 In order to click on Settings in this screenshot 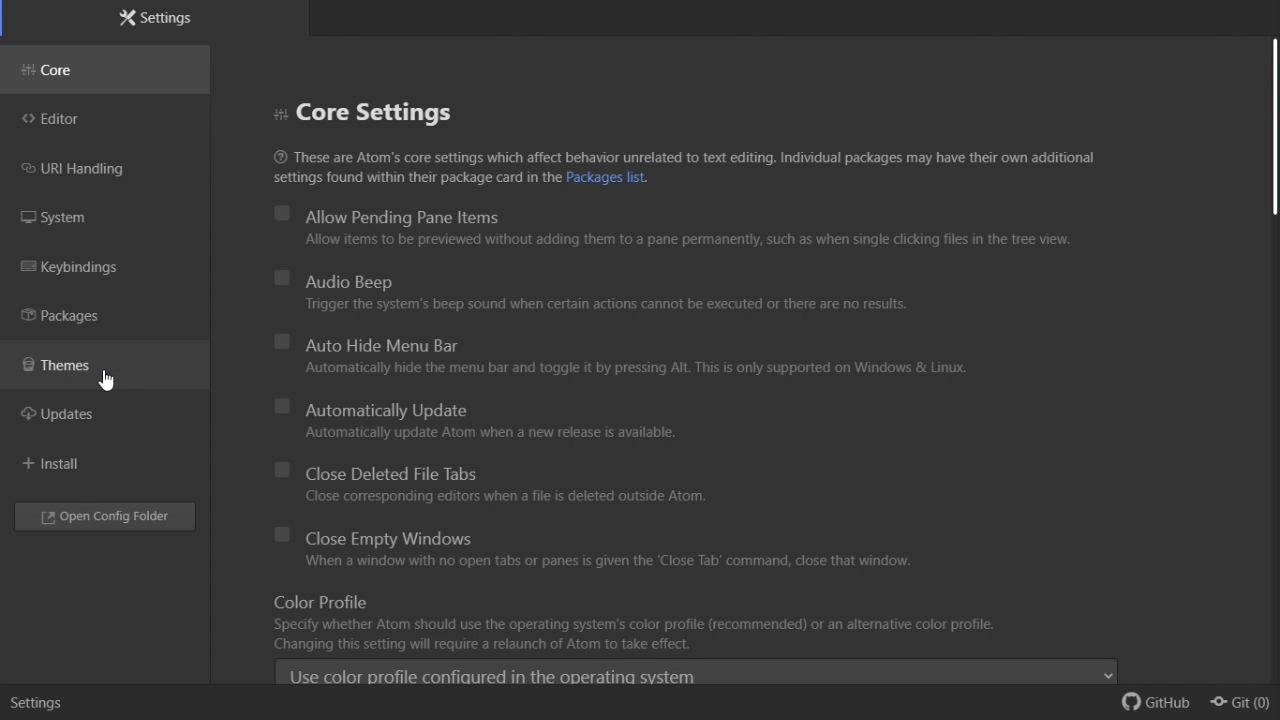, I will do `click(154, 18)`.